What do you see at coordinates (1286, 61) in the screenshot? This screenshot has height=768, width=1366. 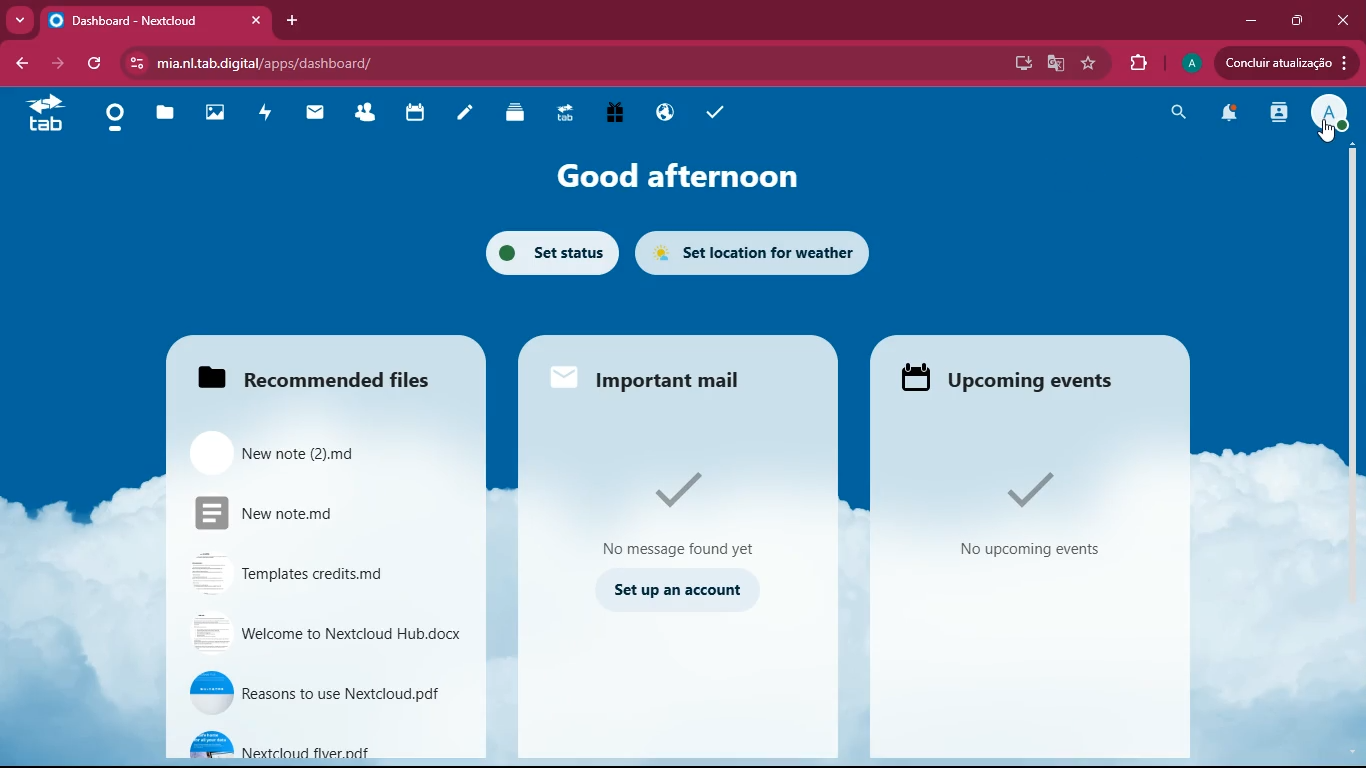 I see `Concluir atualizacao` at bounding box center [1286, 61].